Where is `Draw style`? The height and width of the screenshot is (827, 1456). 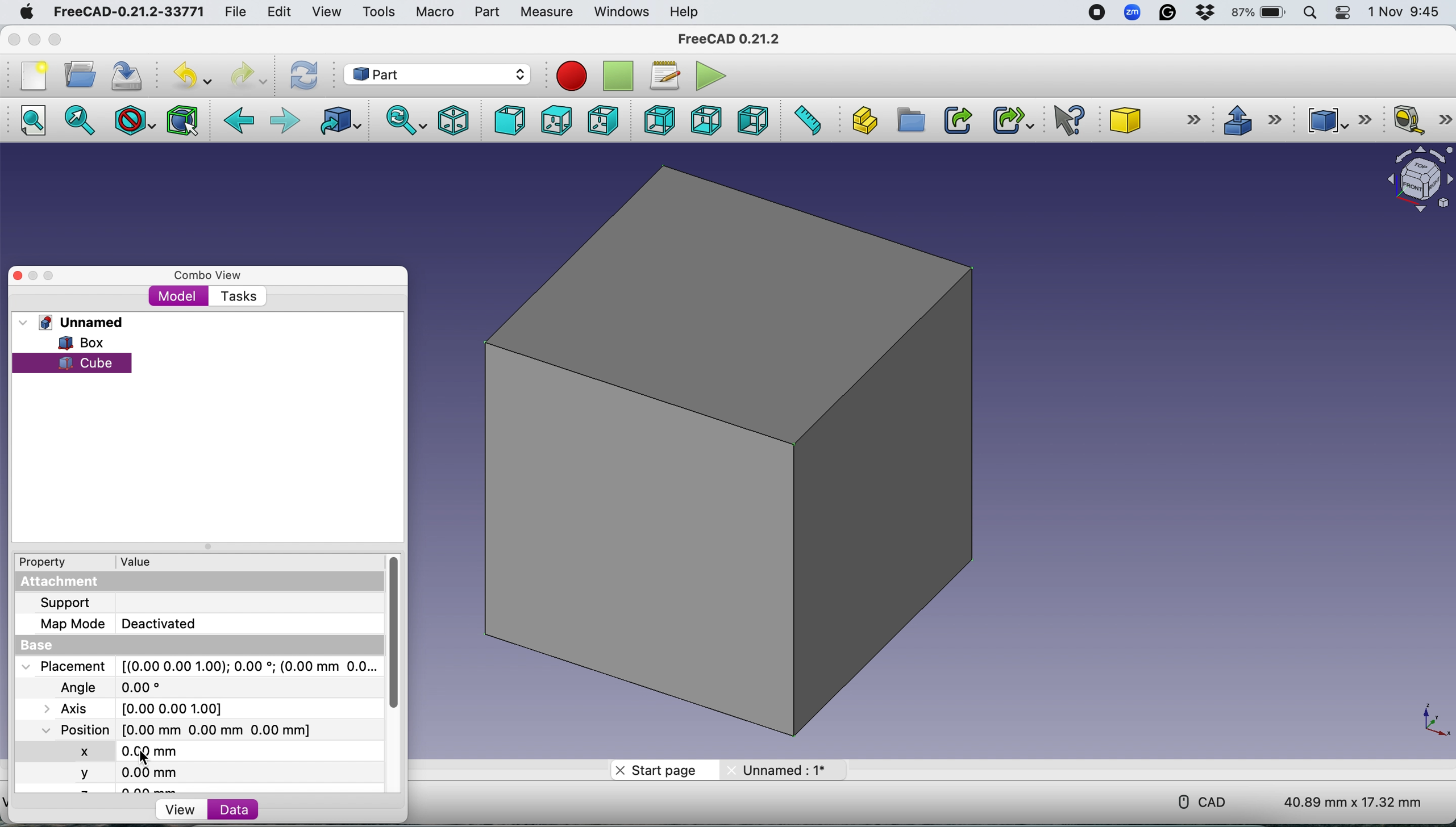
Draw style is located at coordinates (136, 120).